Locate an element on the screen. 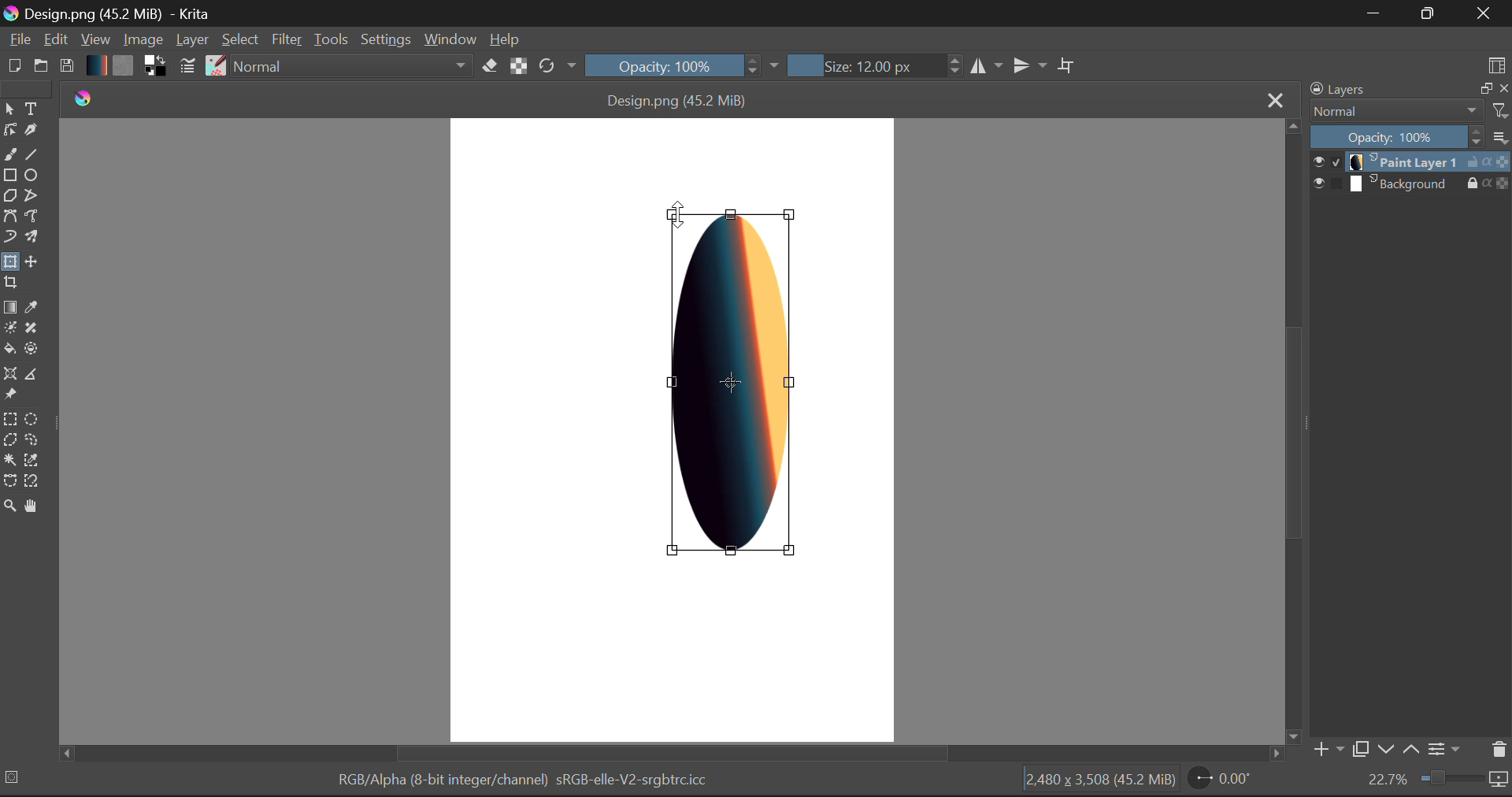 This screenshot has height=797, width=1512. Freehand Path Tool is located at coordinates (32, 217).